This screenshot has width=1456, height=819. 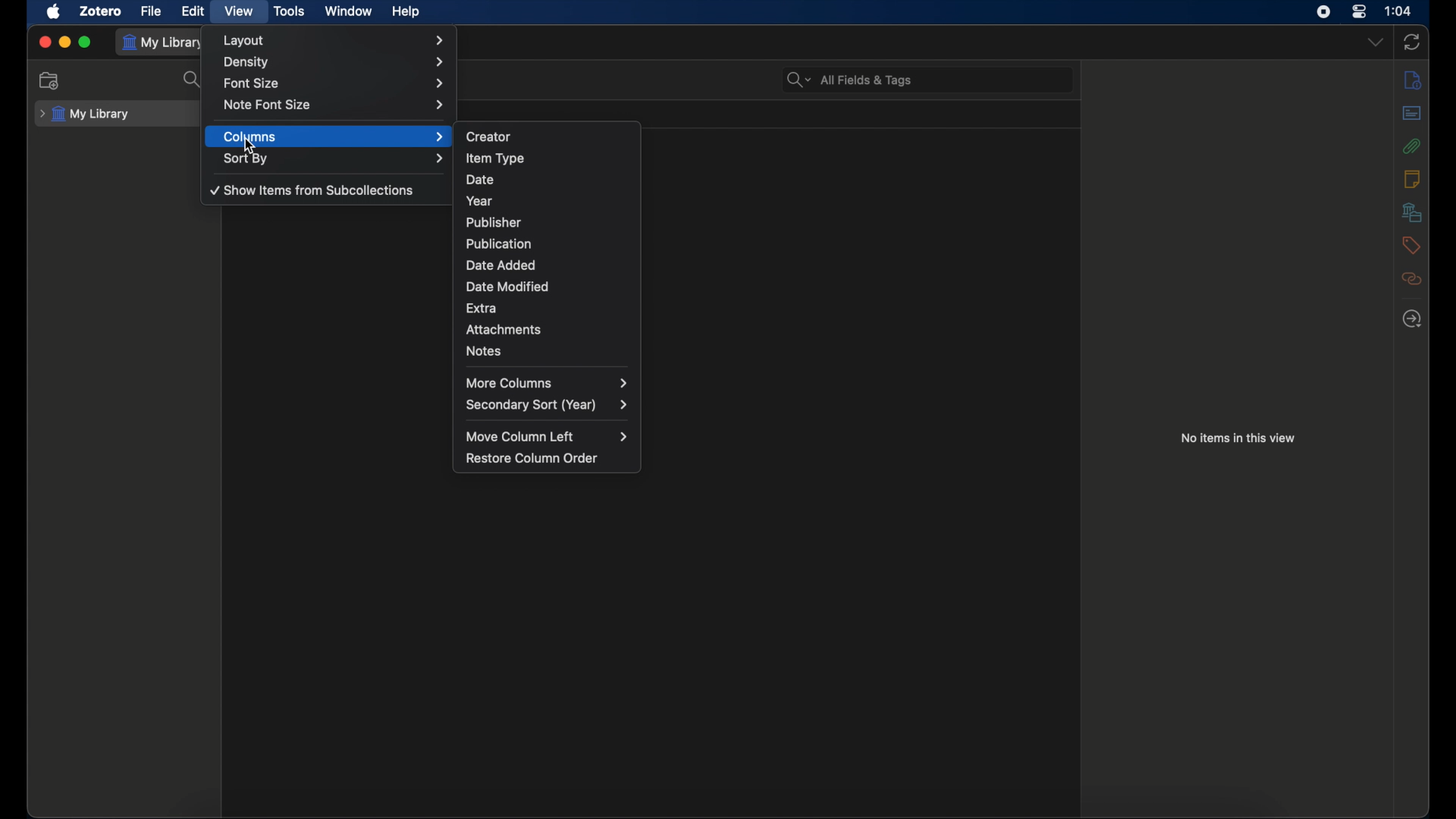 What do you see at coordinates (509, 287) in the screenshot?
I see `date modified` at bounding box center [509, 287].